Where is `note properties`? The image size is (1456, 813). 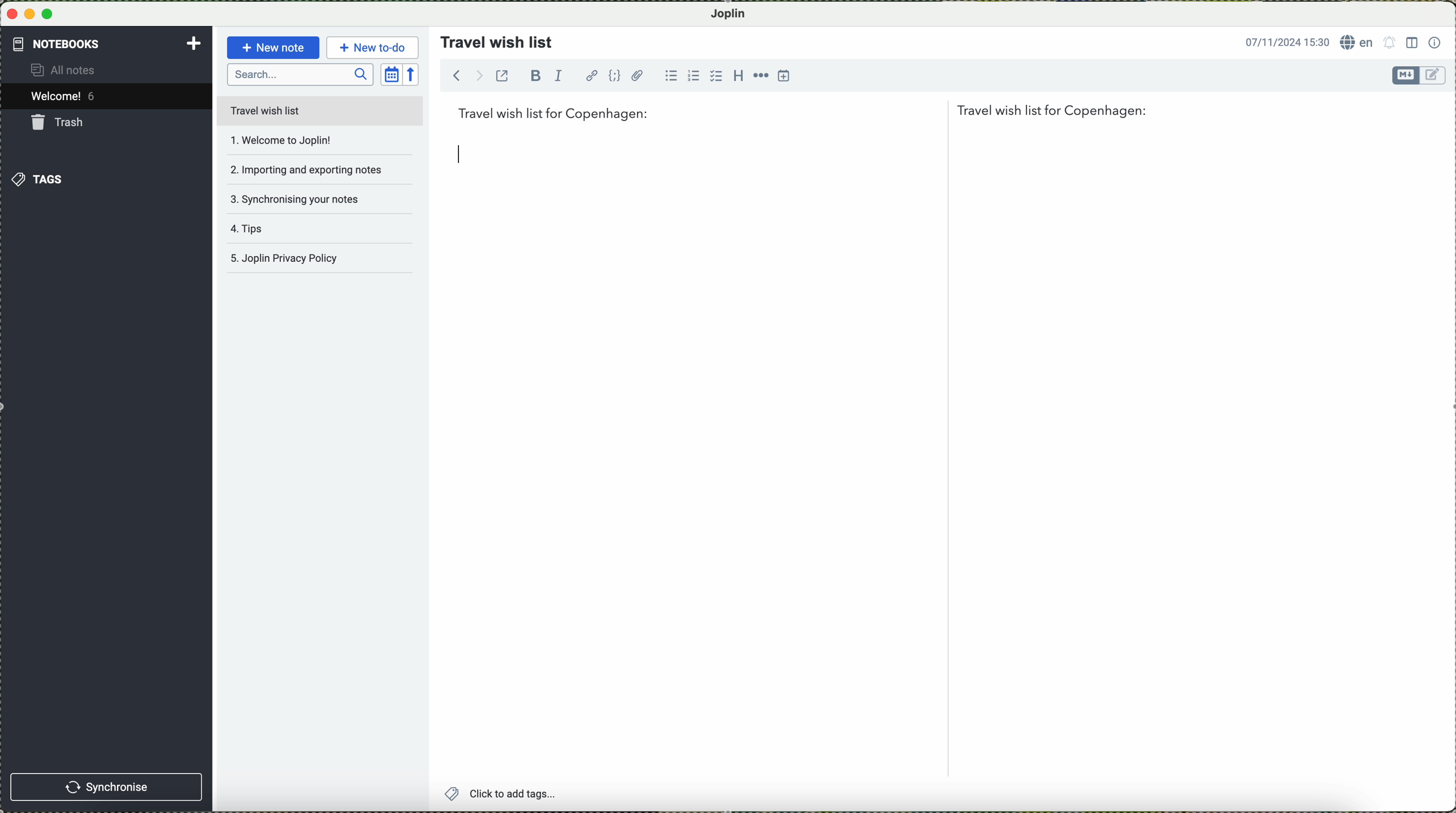 note properties is located at coordinates (1435, 41).